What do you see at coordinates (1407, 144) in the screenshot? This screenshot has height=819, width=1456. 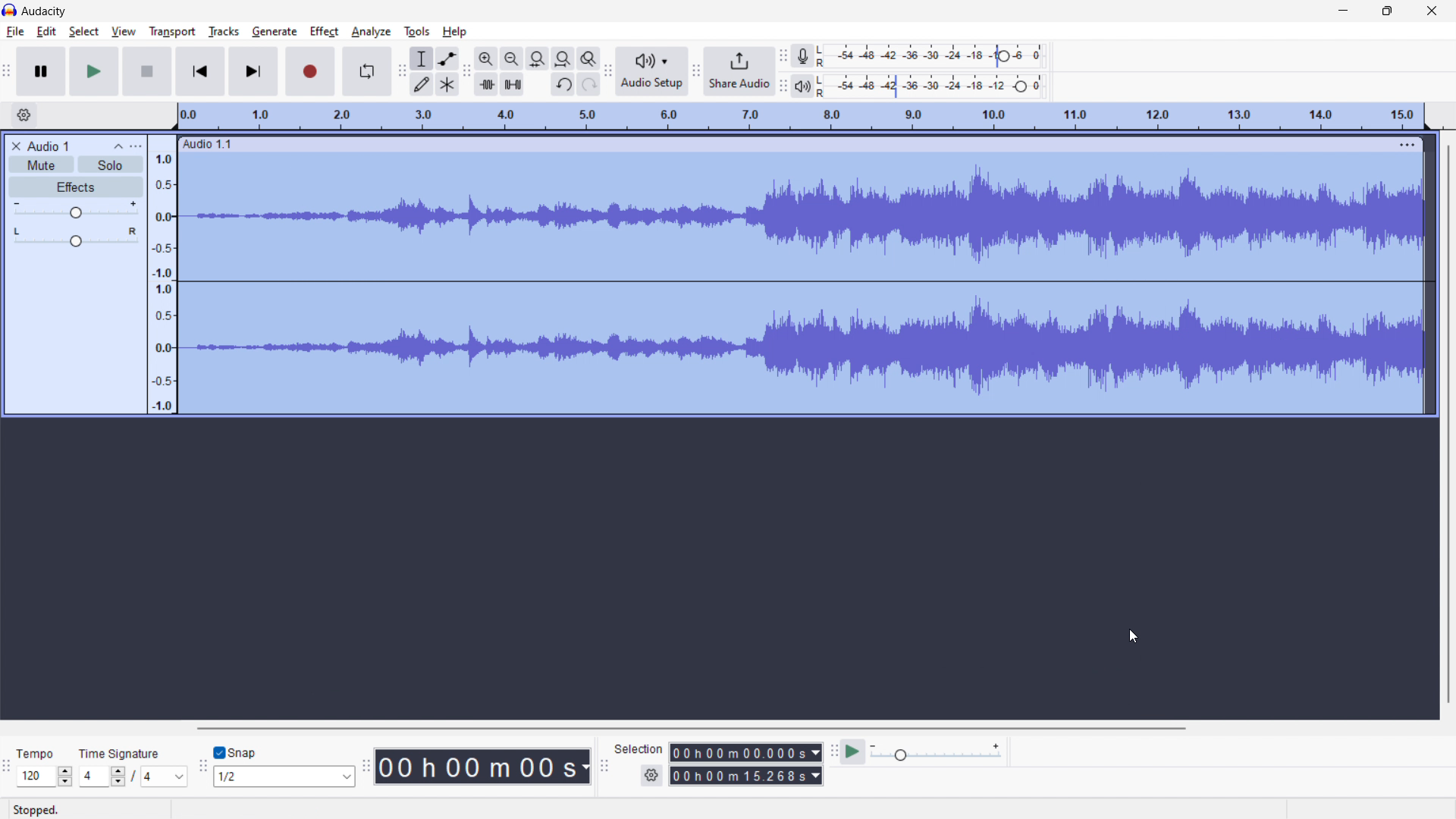 I see `menu` at bounding box center [1407, 144].